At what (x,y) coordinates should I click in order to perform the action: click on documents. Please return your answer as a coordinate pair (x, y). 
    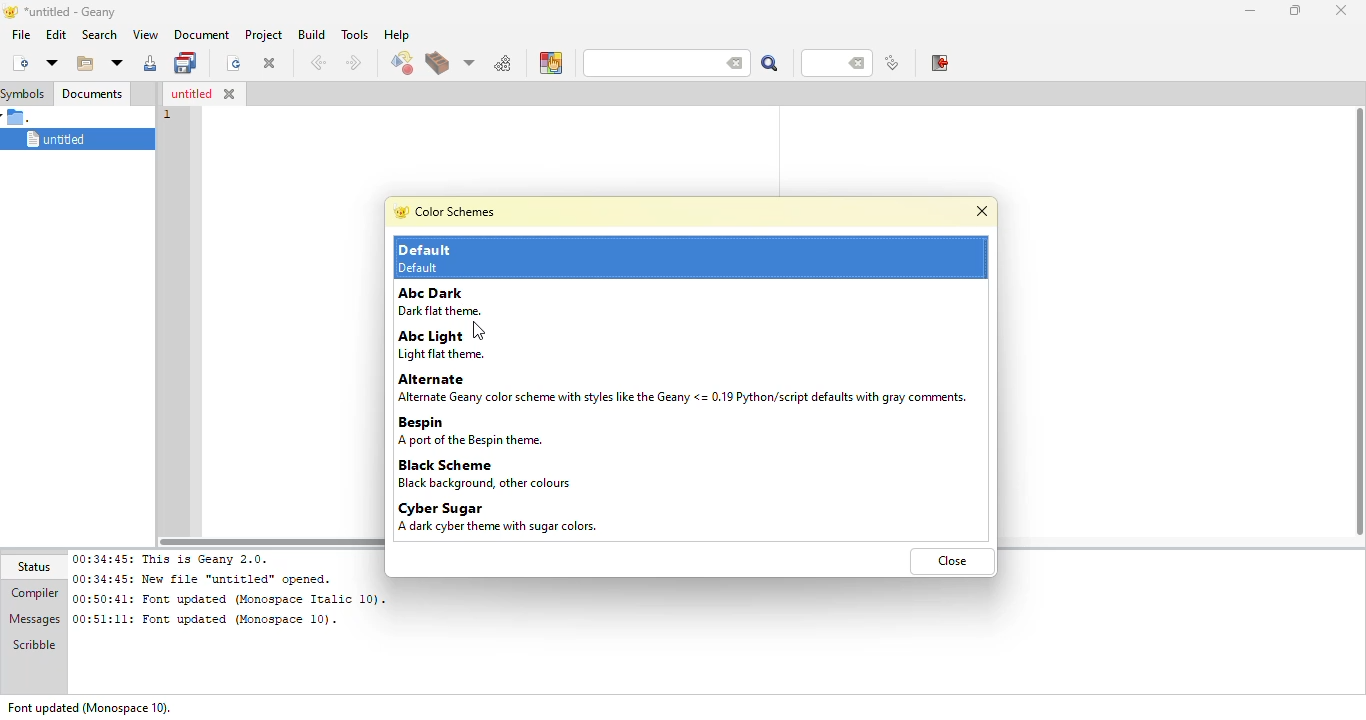
    Looking at the image, I should click on (91, 92).